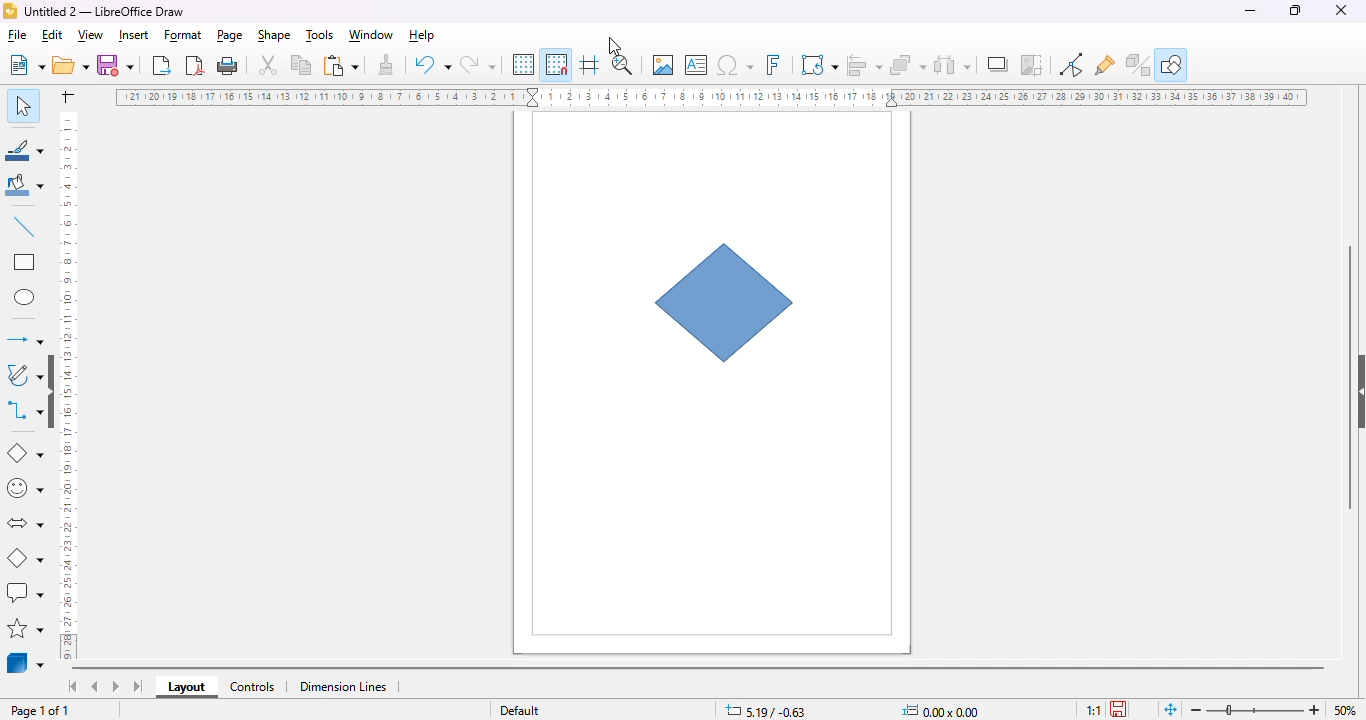 The width and height of the screenshot is (1366, 720). Describe the element at coordinates (27, 629) in the screenshot. I see `stars and banners` at that location.